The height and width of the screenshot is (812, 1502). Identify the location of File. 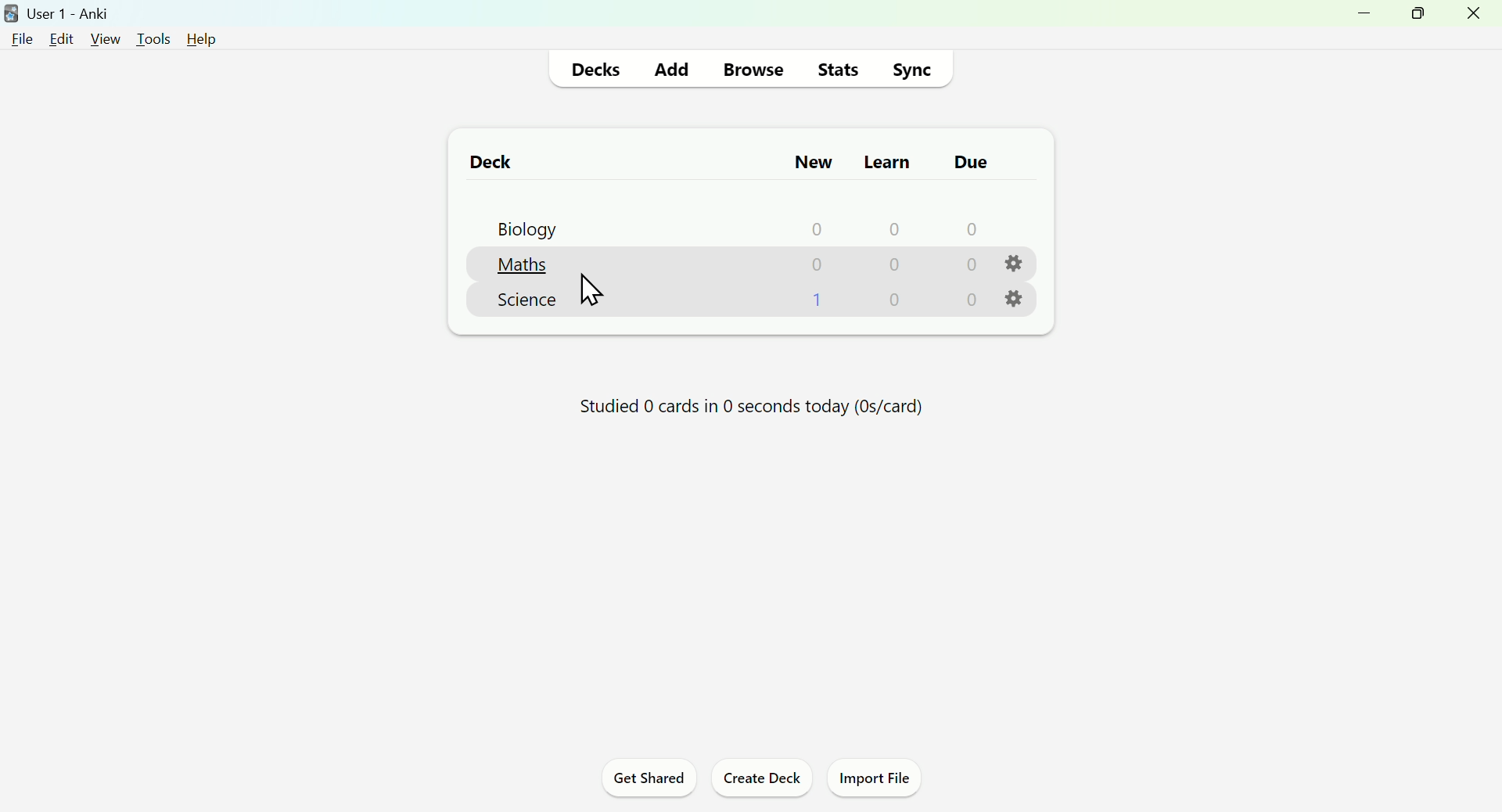
(23, 38).